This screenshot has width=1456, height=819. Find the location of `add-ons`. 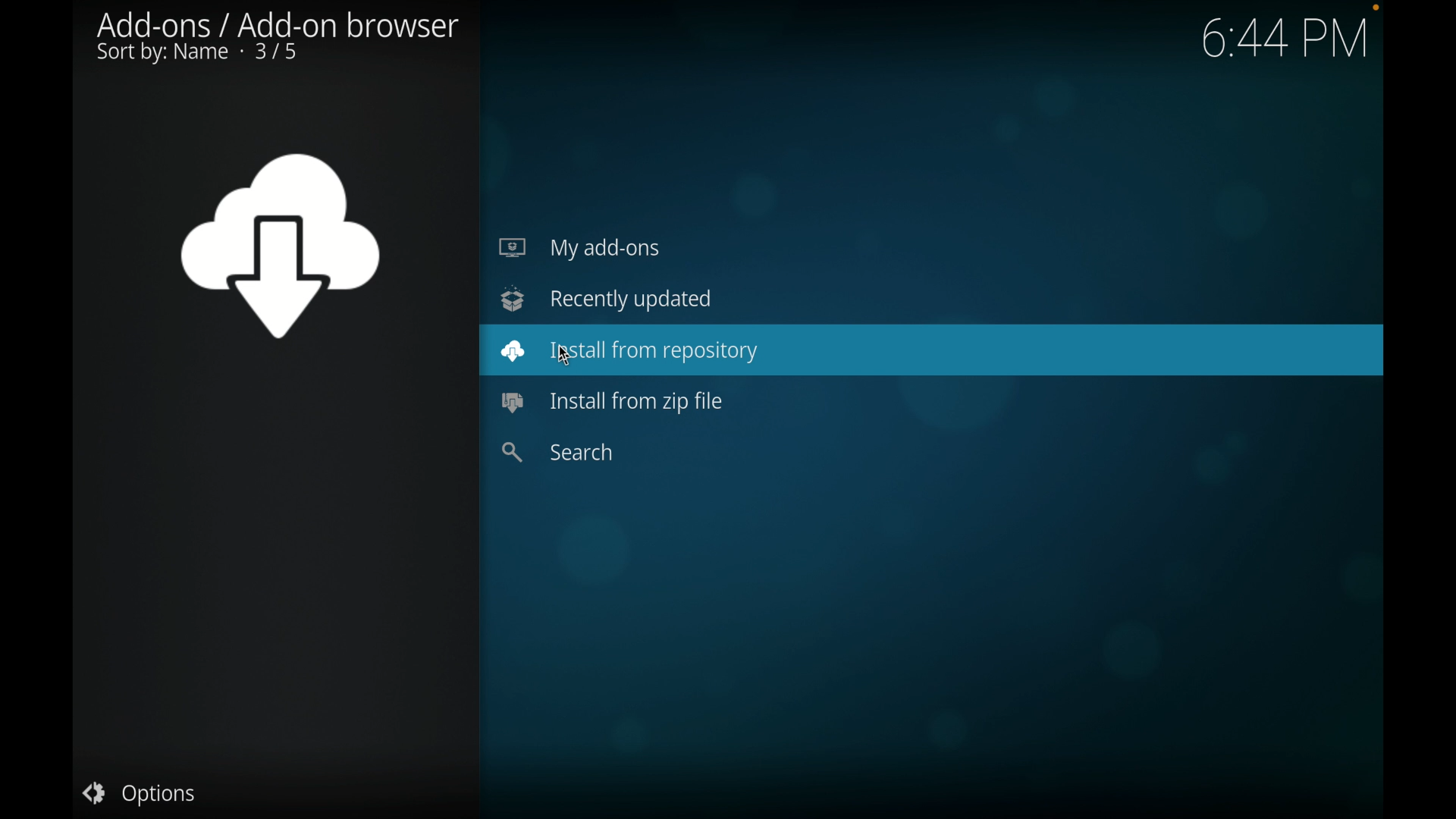

add-ons is located at coordinates (278, 246).